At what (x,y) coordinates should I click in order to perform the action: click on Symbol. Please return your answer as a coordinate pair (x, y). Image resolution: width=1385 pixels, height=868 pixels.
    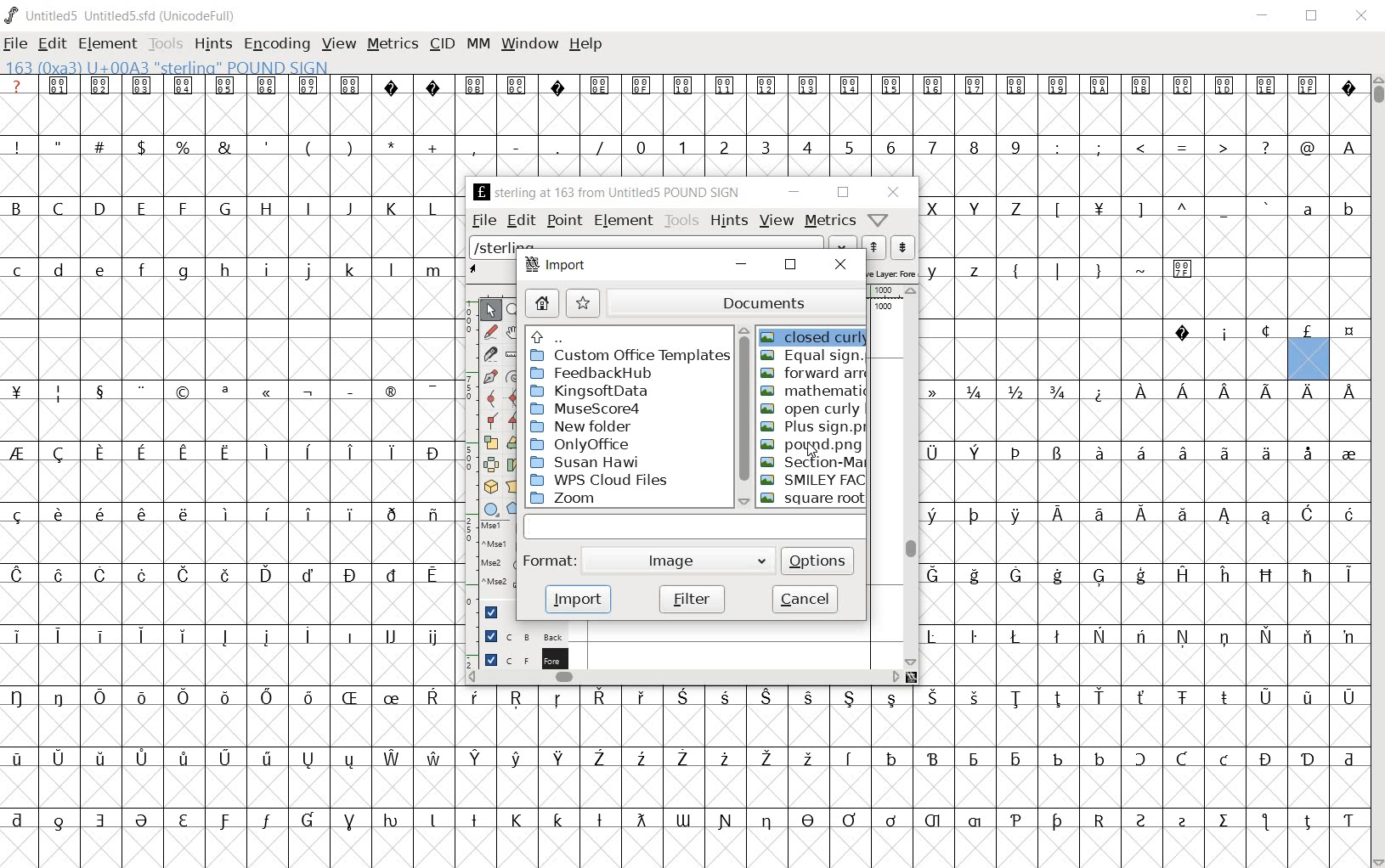
    Looking at the image, I should click on (1267, 635).